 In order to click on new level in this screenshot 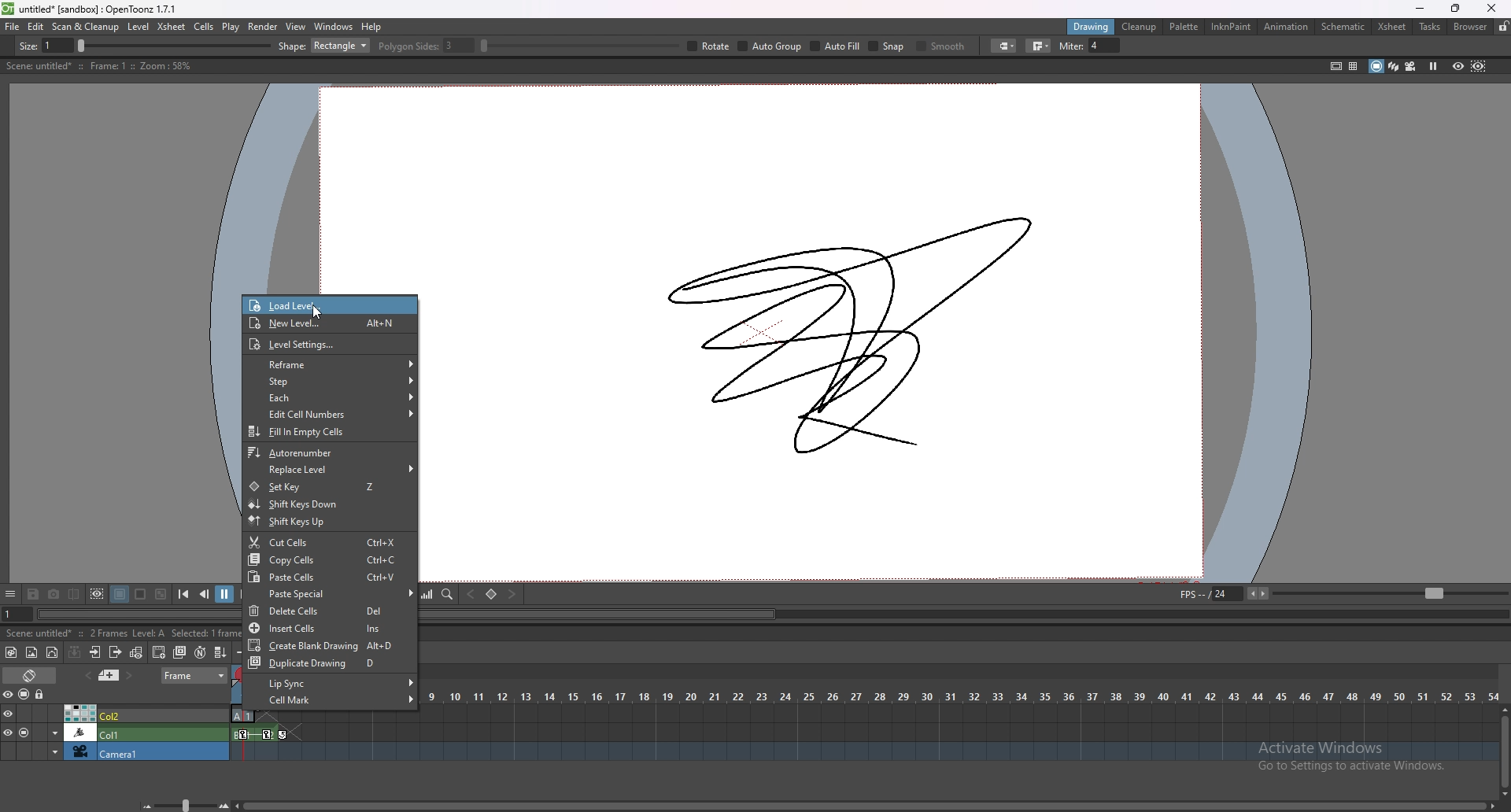, I will do `click(329, 324)`.